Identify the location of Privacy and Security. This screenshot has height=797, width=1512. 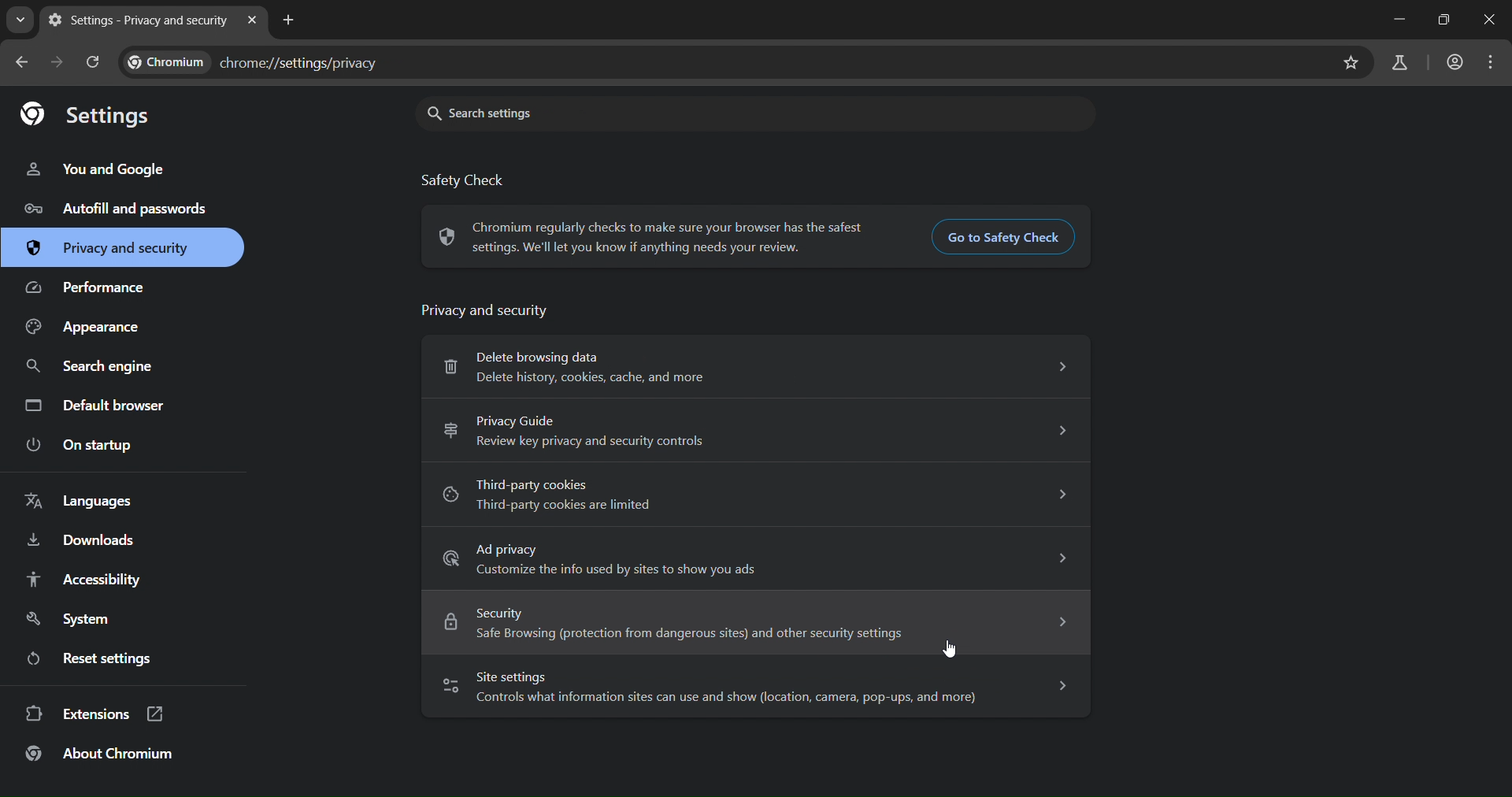
(493, 312).